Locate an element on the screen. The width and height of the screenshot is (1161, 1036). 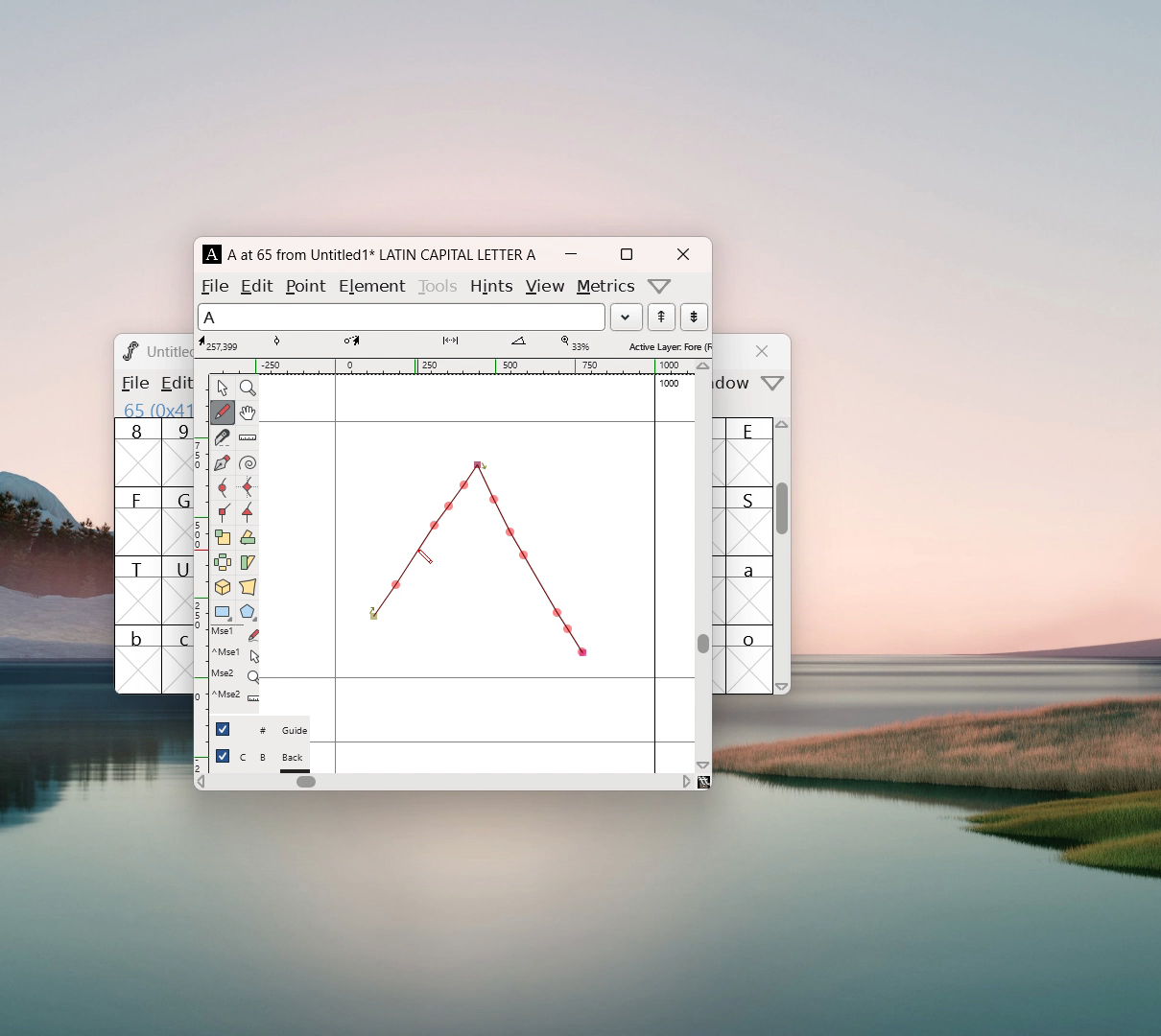
maximum ascent line is located at coordinates (477, 422).